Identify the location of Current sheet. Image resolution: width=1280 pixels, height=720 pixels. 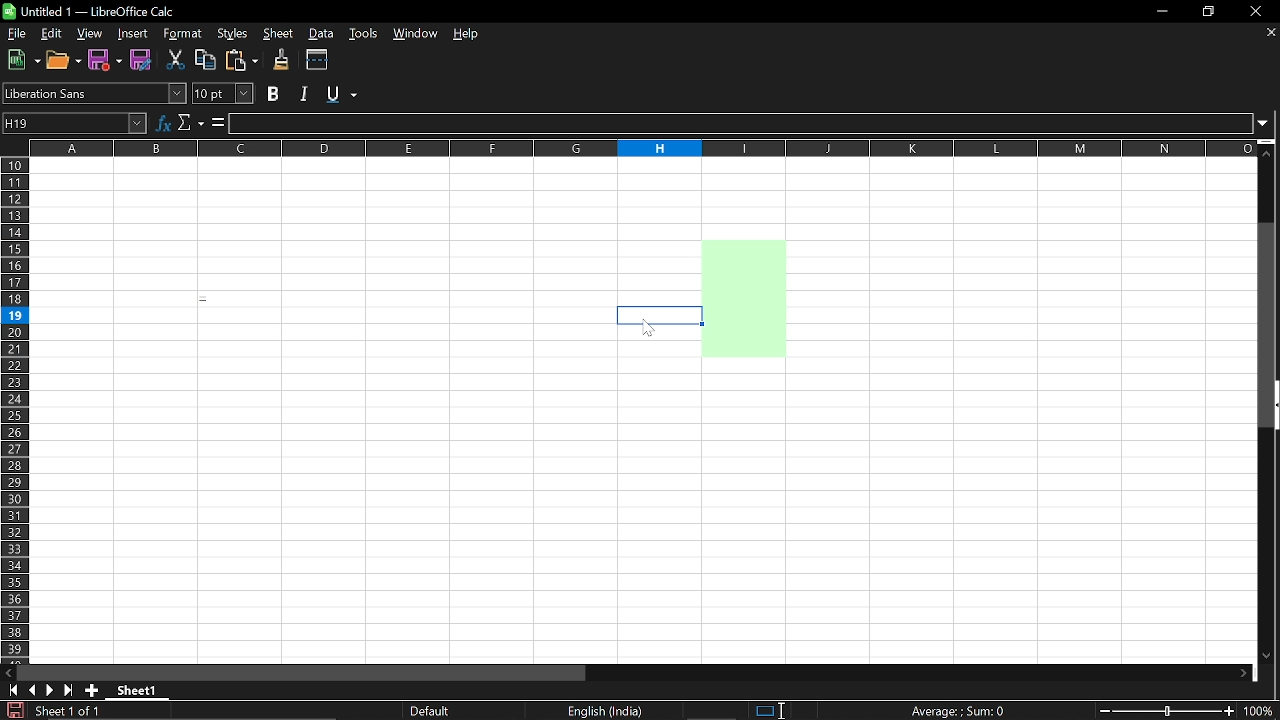
(67, 712).